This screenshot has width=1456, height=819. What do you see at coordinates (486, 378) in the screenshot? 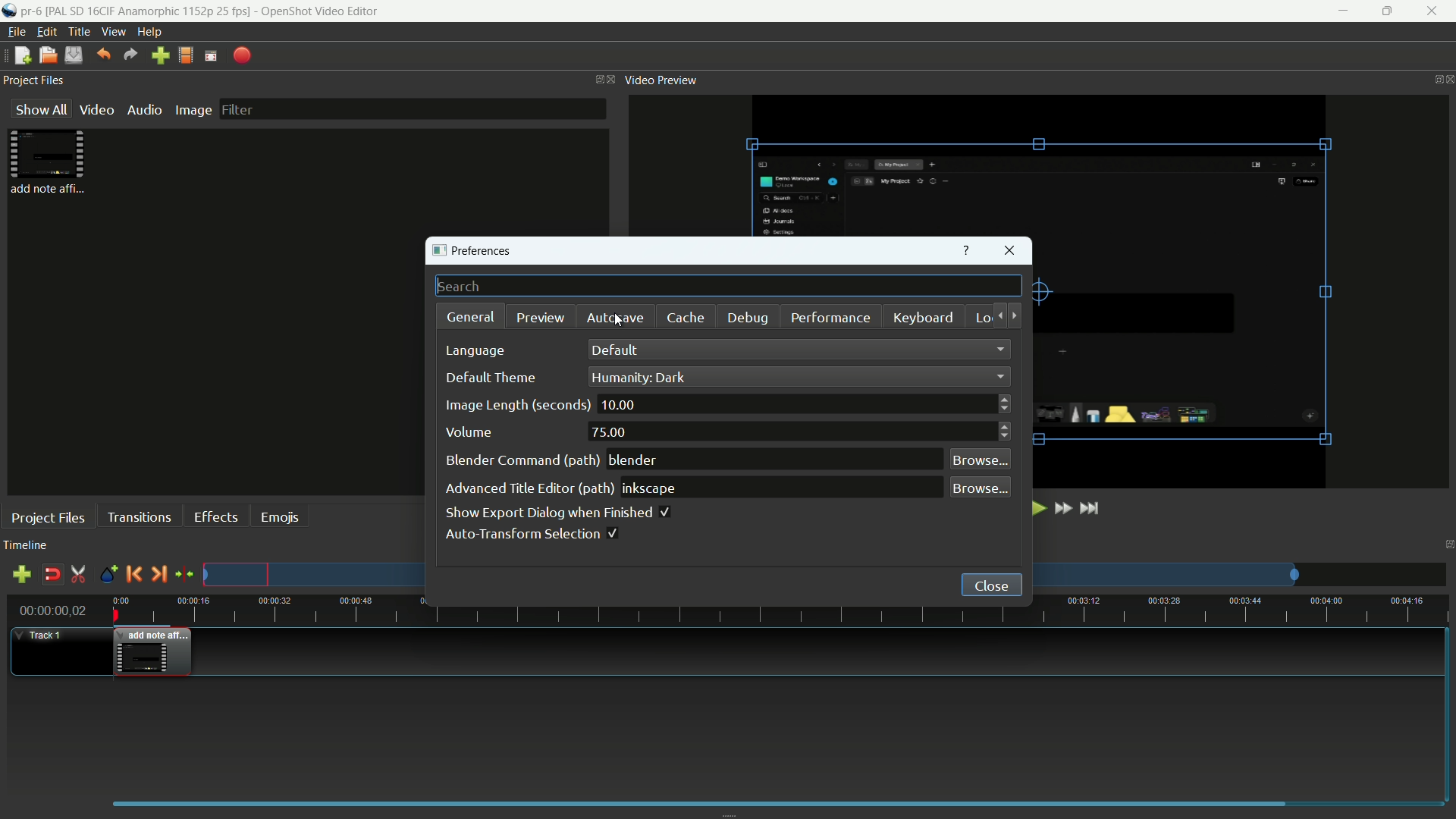
I see `default theme` at bounding box center [486, 378].